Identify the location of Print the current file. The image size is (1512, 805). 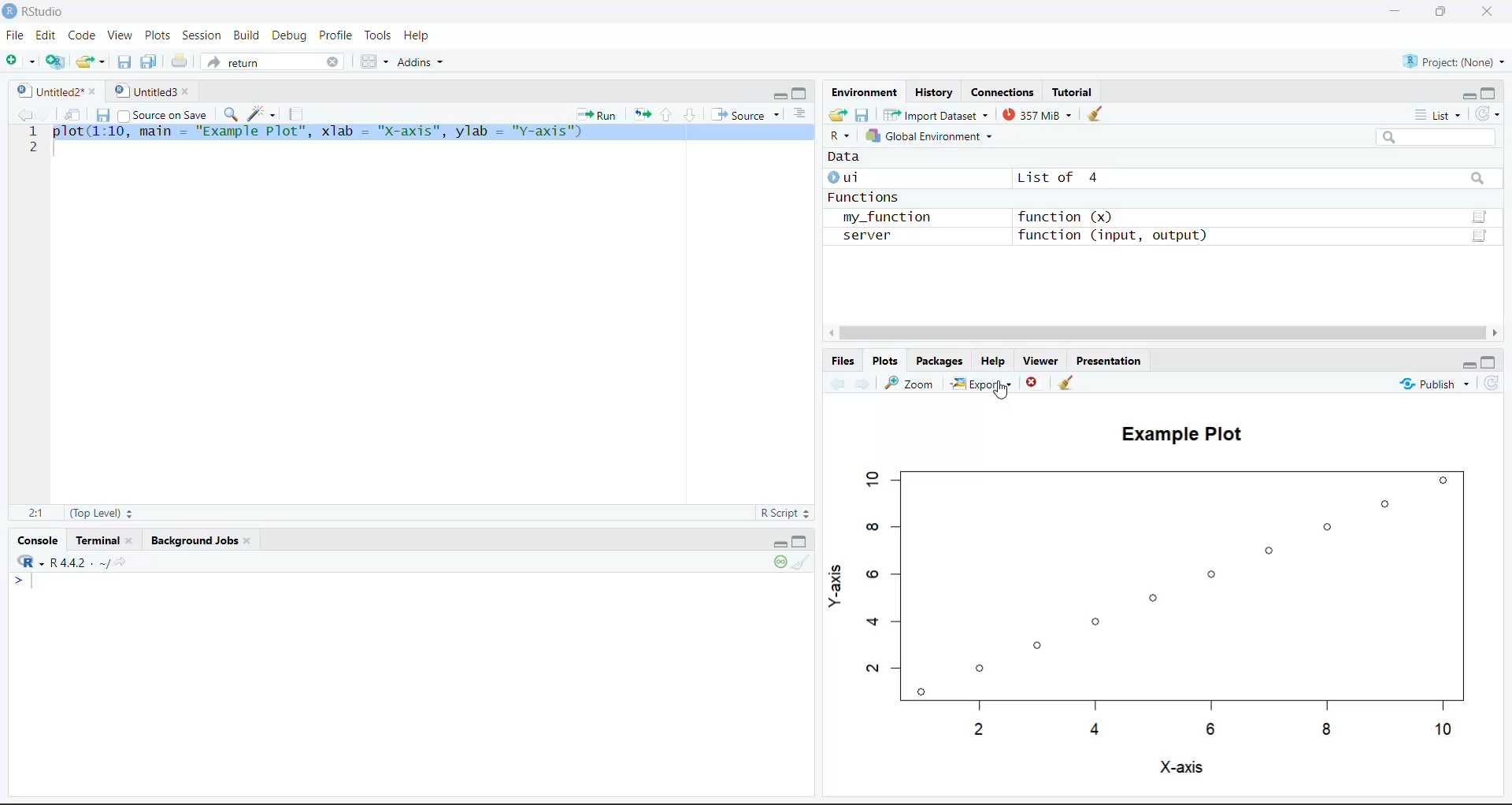
(177, 61).